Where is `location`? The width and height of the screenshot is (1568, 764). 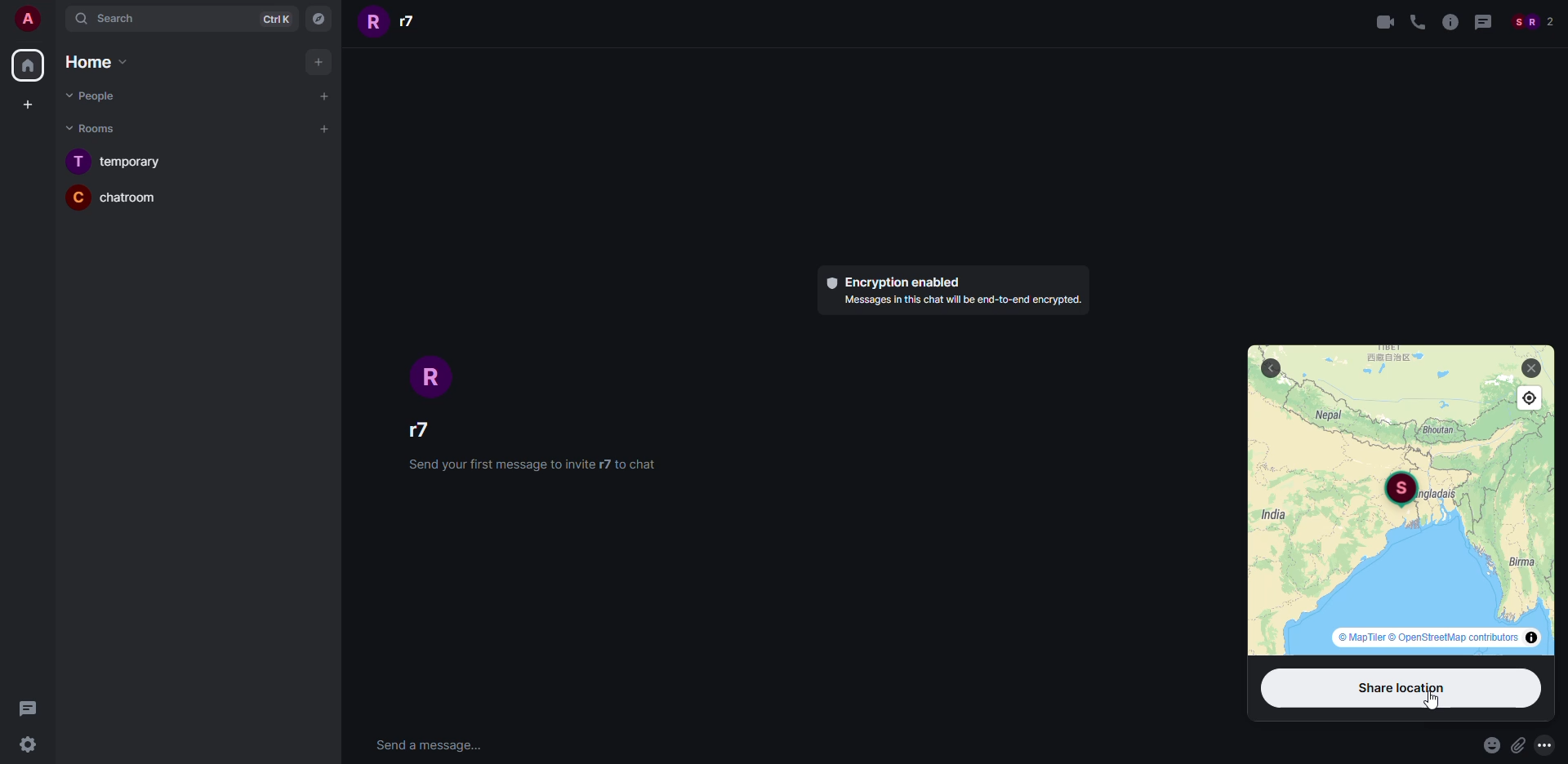
location is located at coordinates (1400, 490).